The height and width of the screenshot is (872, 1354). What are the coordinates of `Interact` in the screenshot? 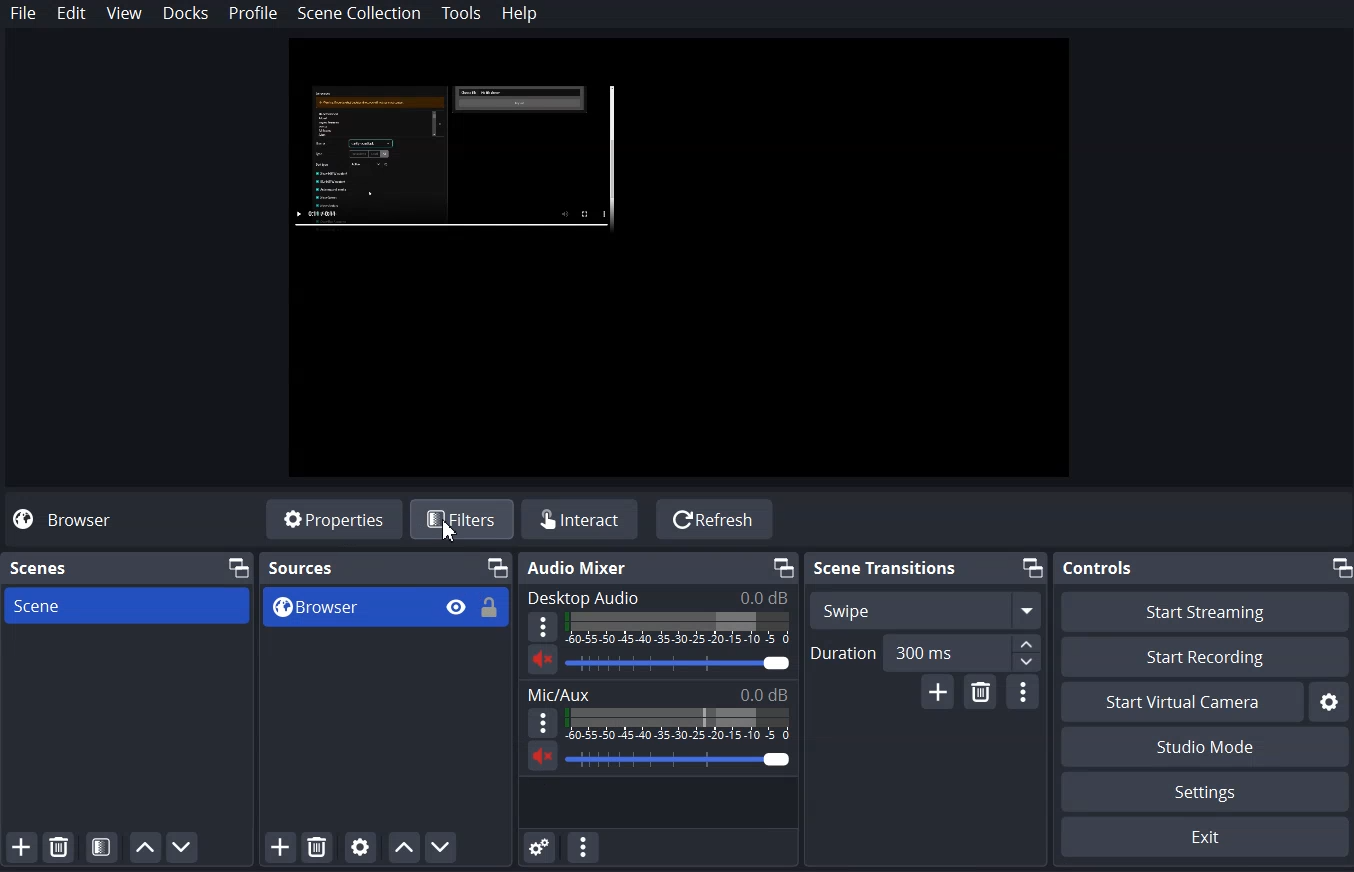 It's located at (577, 518).